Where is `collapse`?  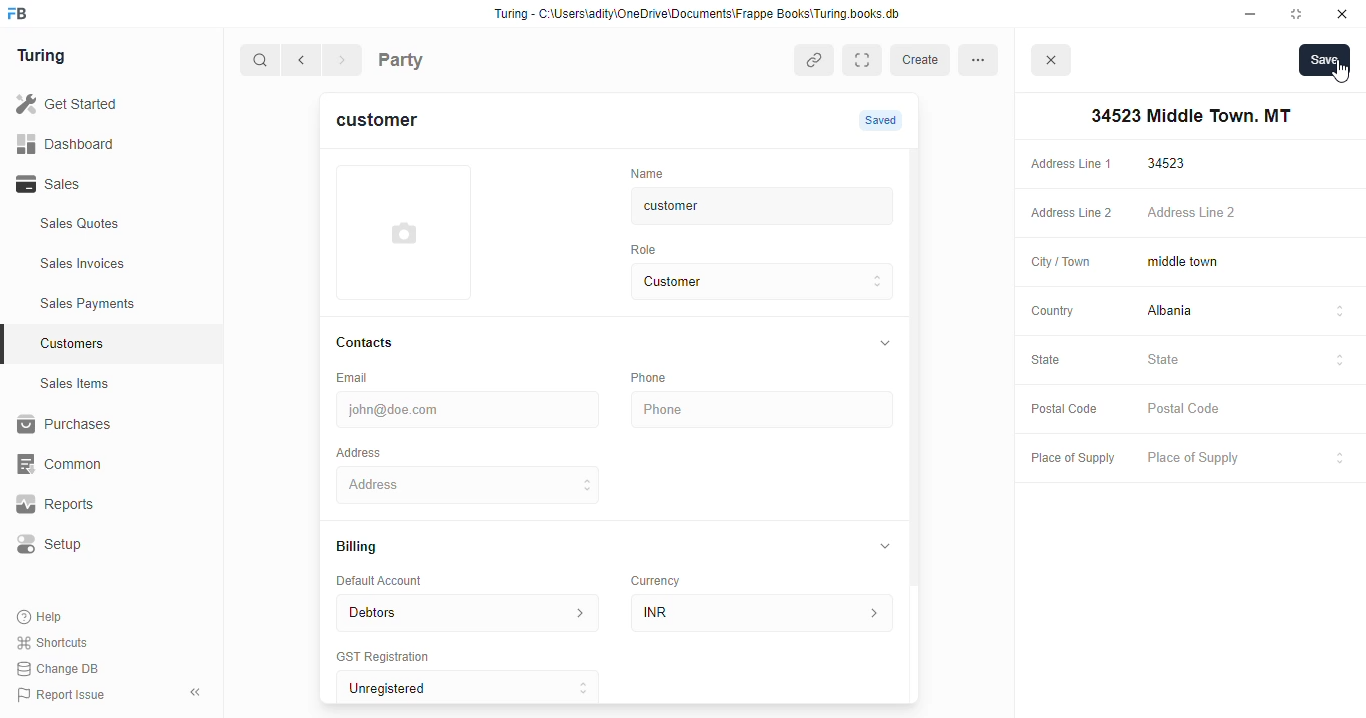 collapse is located at coordinates (886, 545).